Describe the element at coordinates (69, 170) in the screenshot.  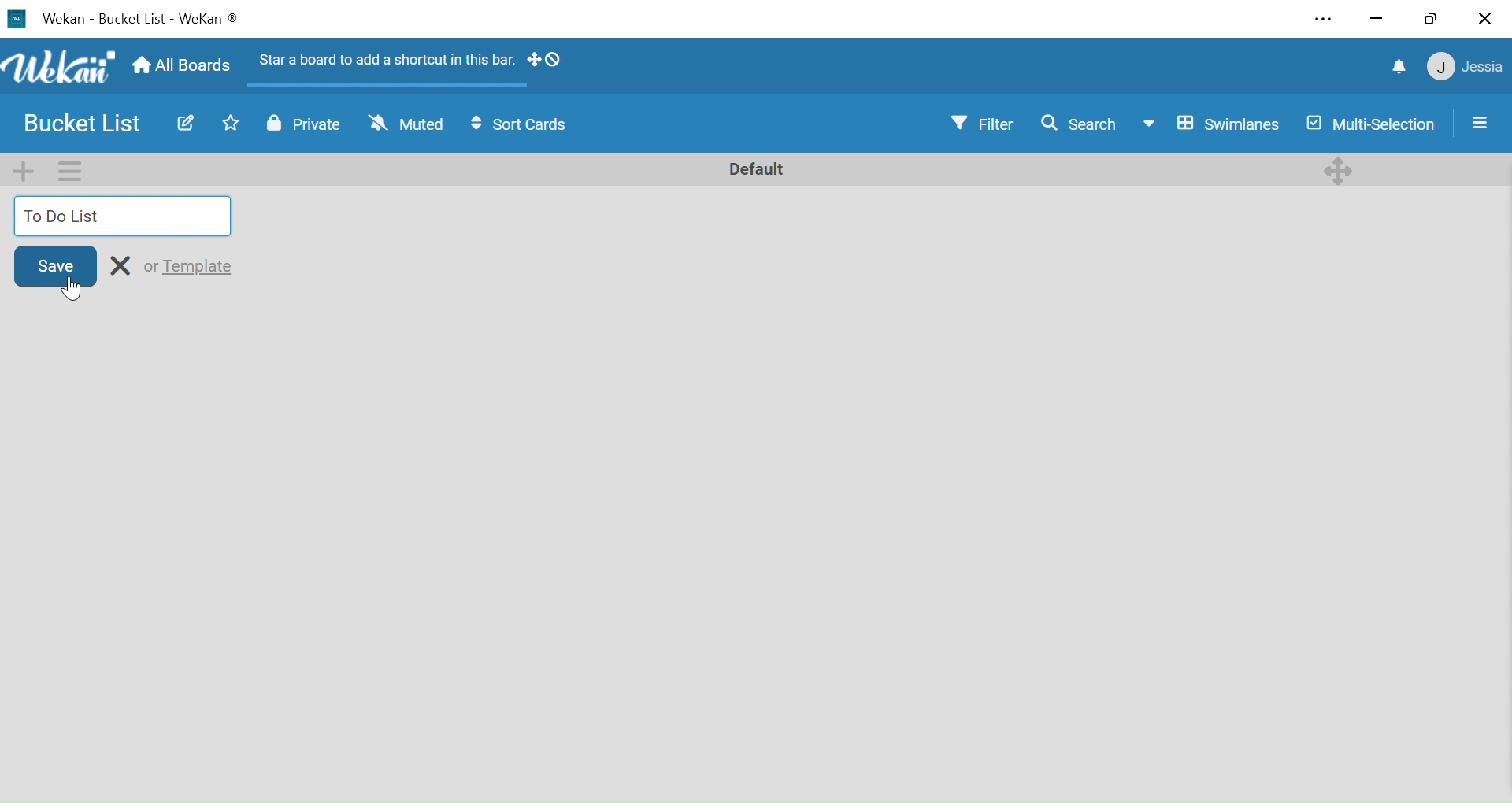
I see `Swimlane Actions` at that location.